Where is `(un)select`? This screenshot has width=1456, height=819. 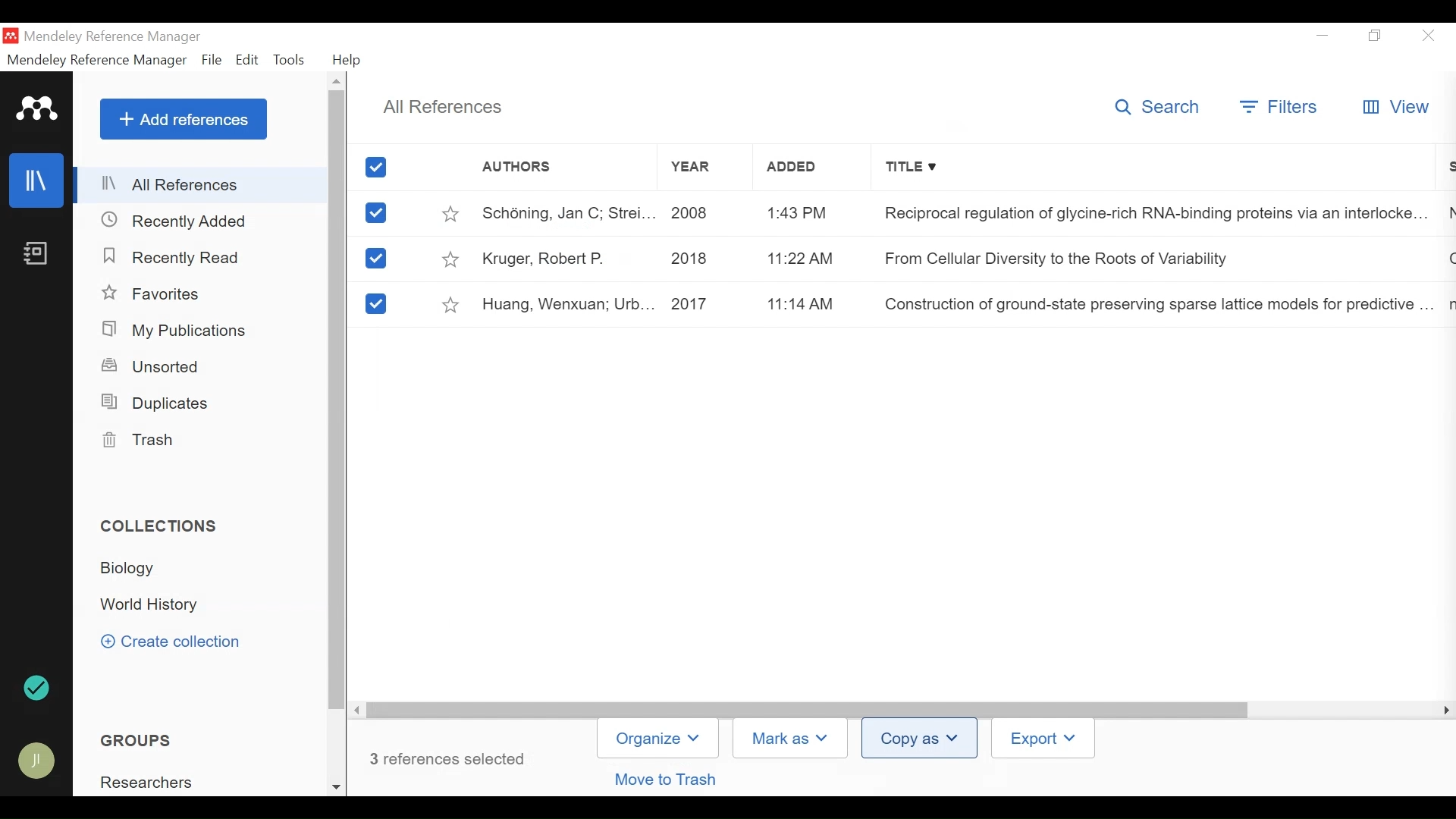
(un)select is located at coordinates (375, 259).